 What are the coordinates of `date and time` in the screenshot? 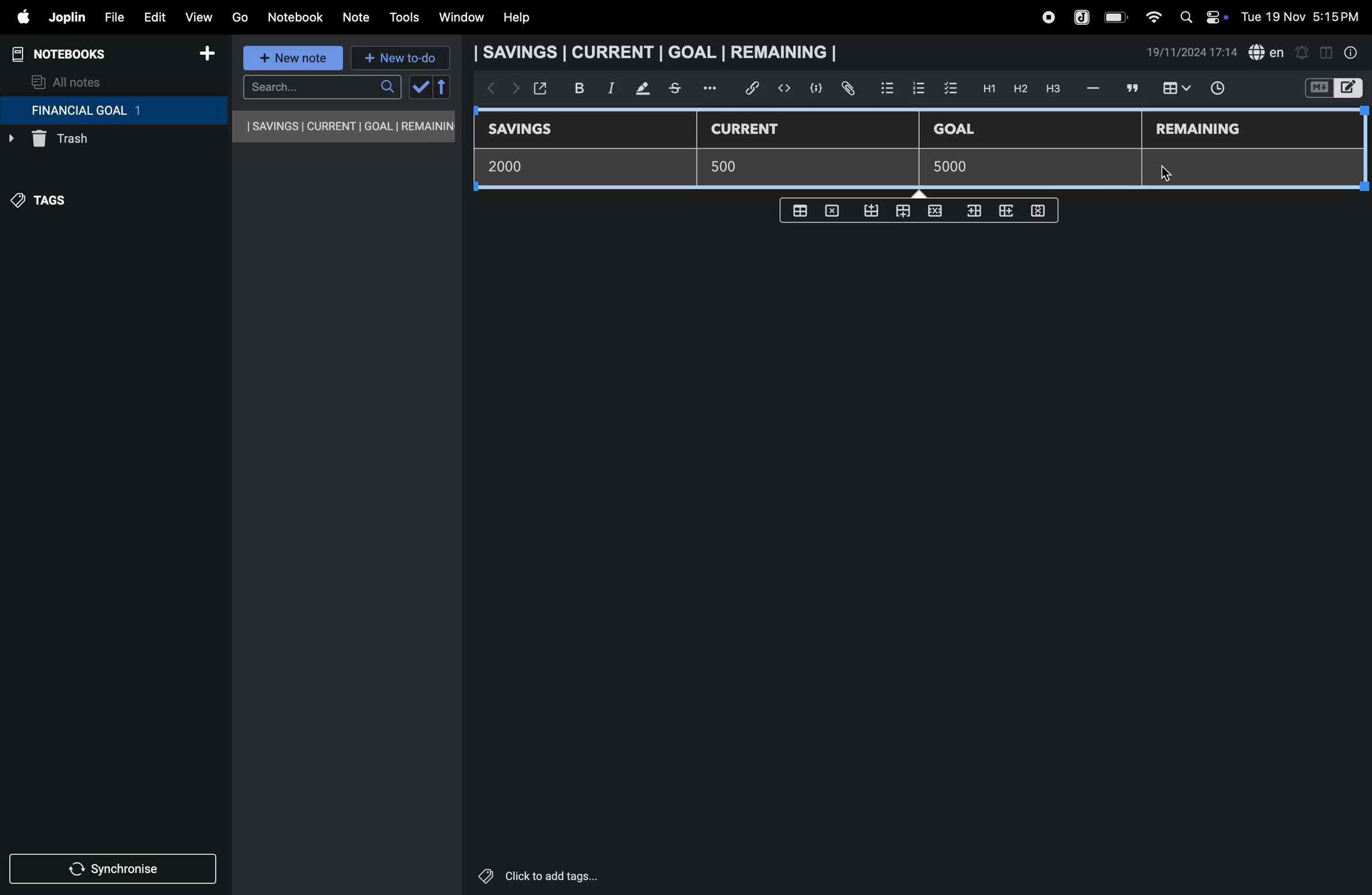 It's located at (1192, 52).